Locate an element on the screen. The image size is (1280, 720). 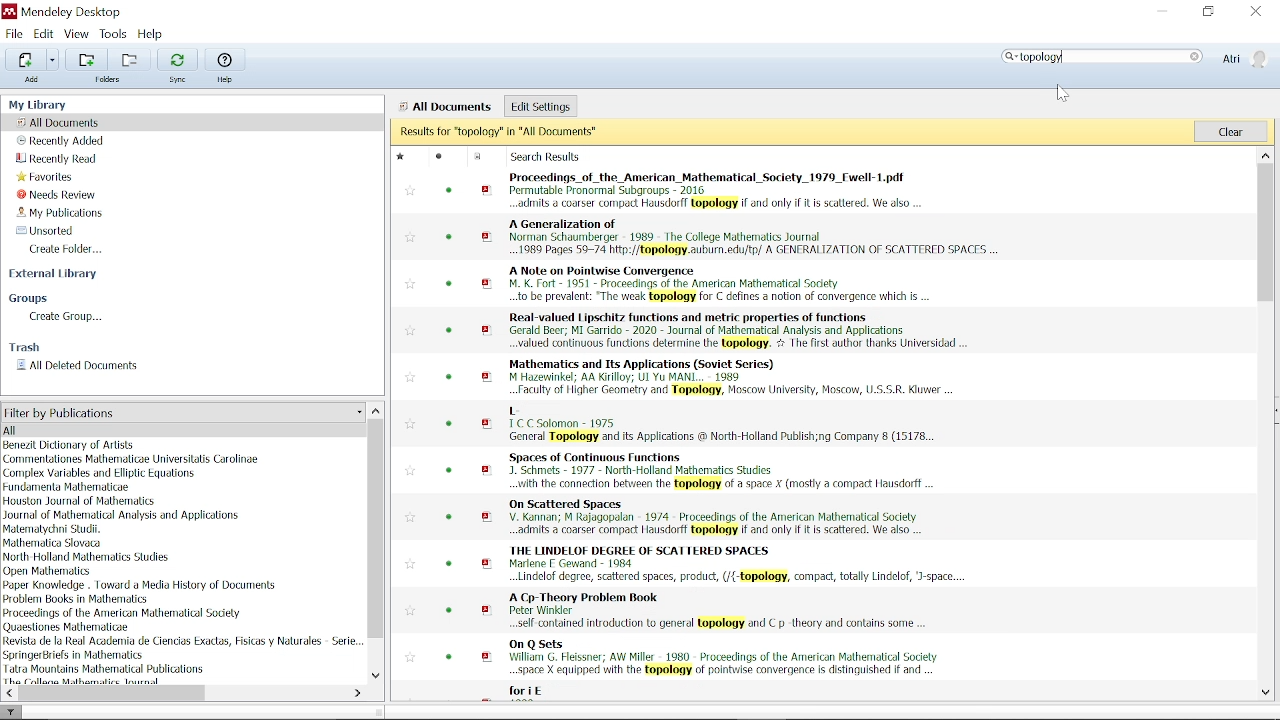
Needs review is located at coordinates (65, 194).